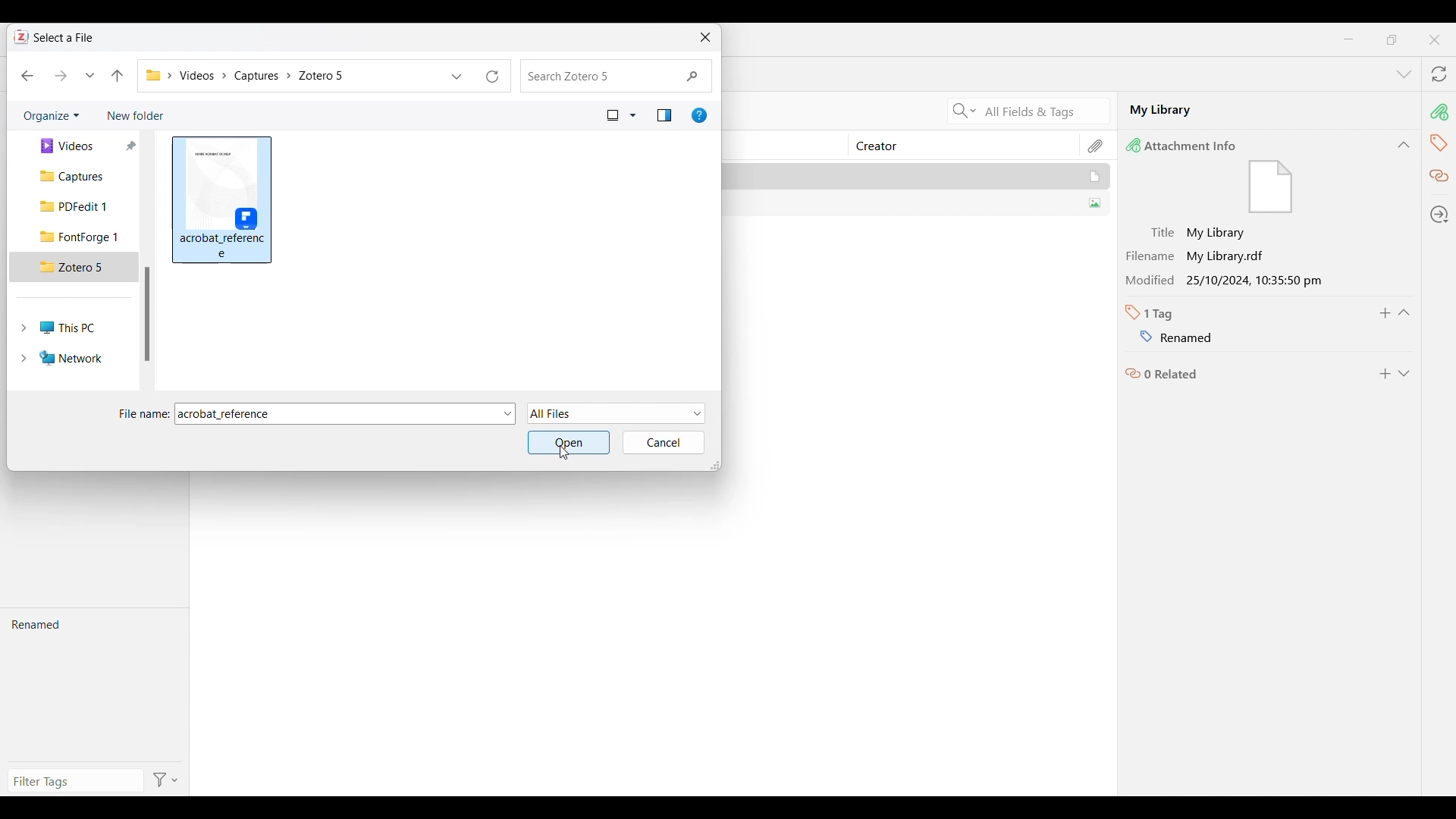 The width and height of the screenshot is (1456, 819). What do you see at coordinates (80, 206) in the screenshot?
I see `PDFedit 1 folder` at bounding box center [80, 206].